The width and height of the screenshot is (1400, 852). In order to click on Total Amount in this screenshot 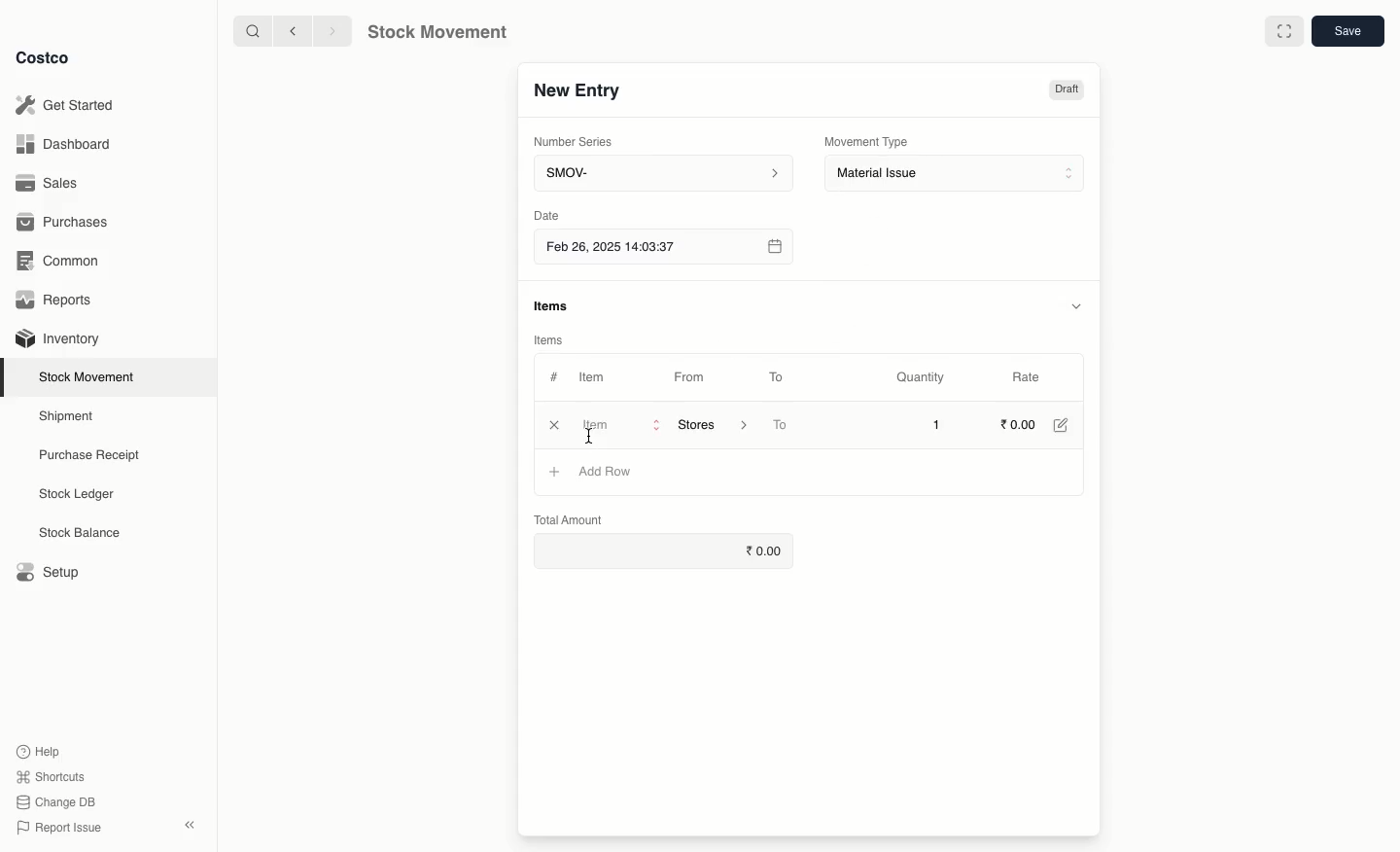, I will do `click(570, 516)`.